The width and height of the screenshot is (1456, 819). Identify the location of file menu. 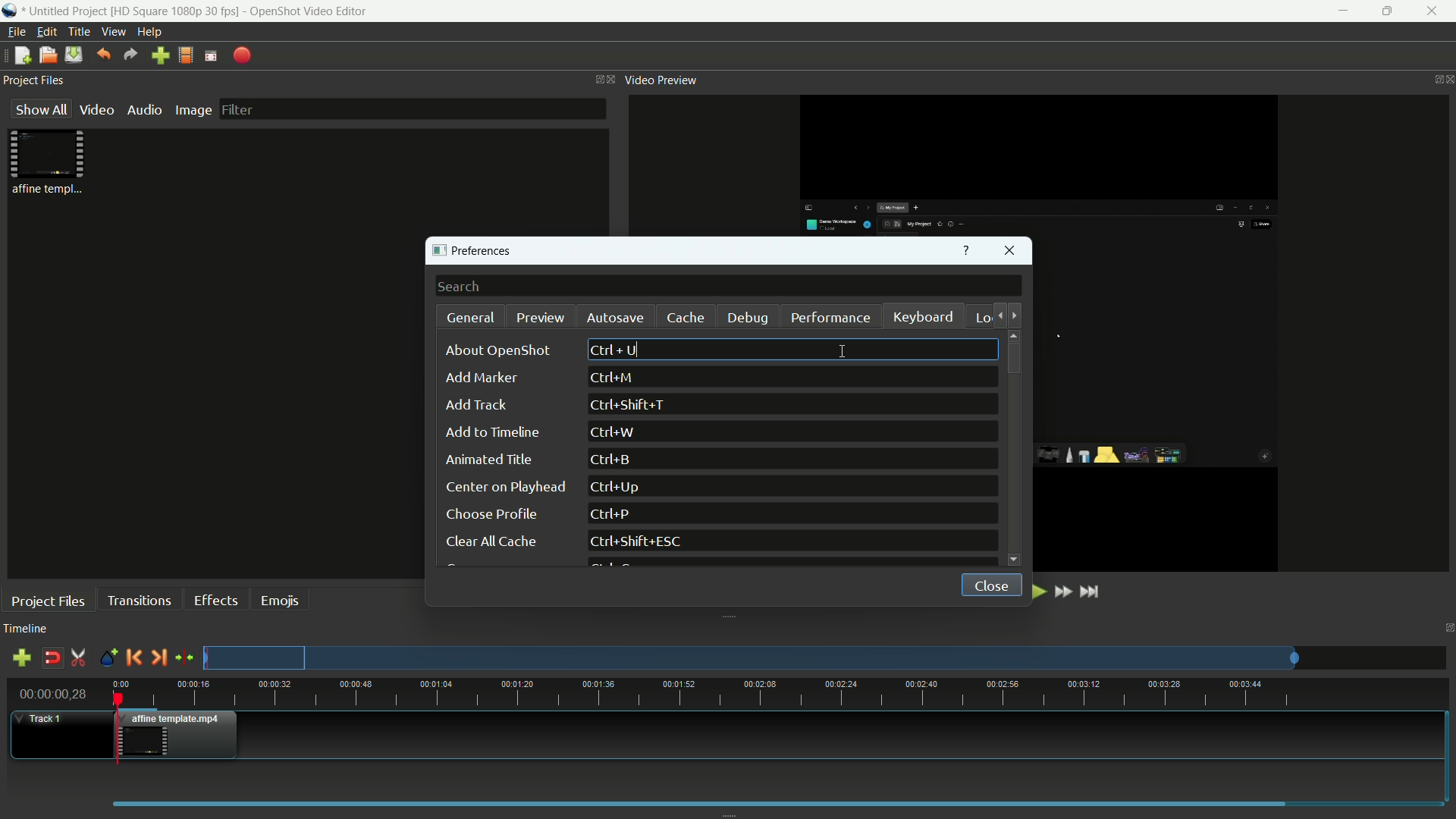
(15, 32).